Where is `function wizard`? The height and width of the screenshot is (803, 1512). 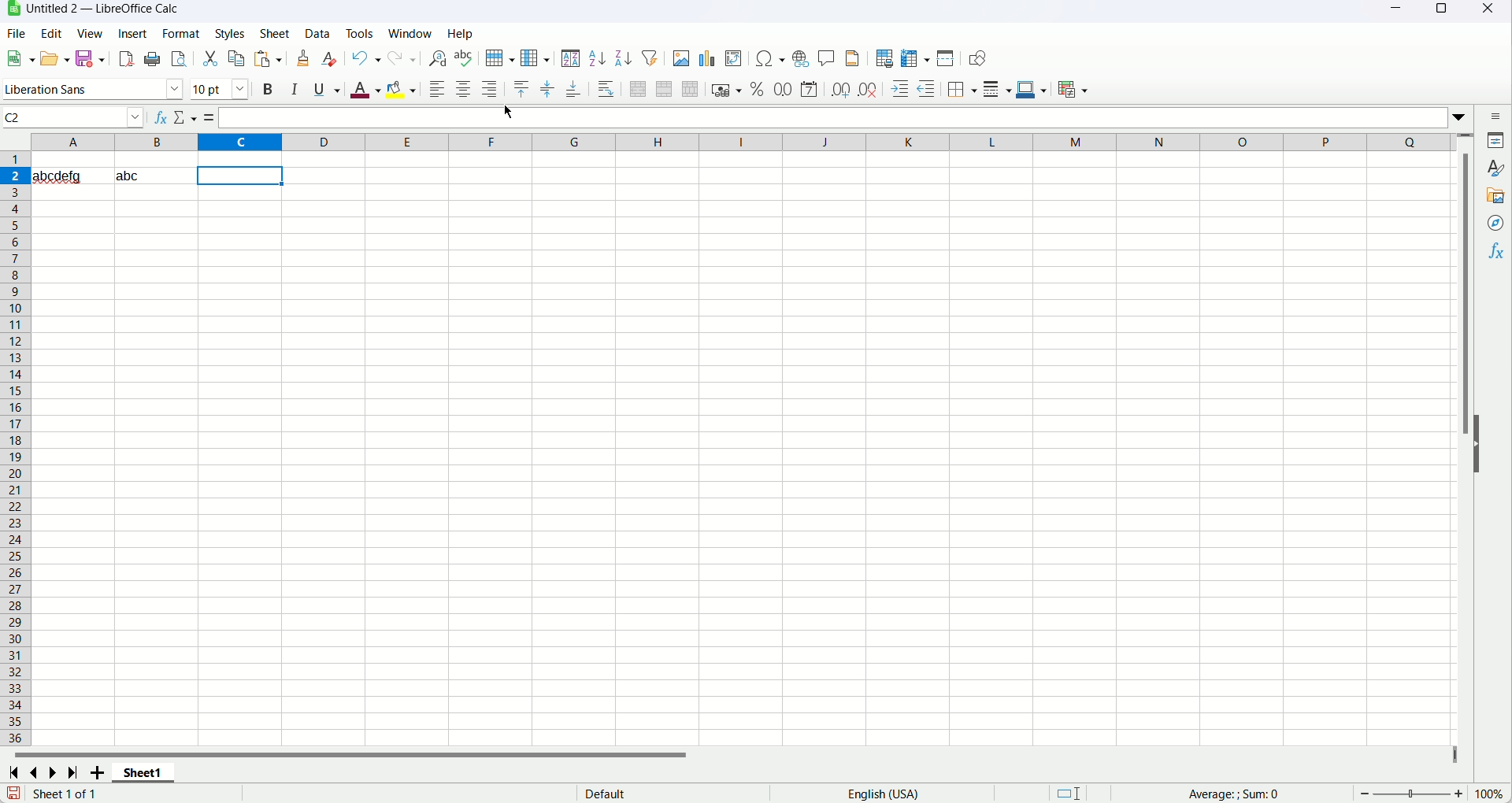
function wizard is located at coordinates (160, 117).